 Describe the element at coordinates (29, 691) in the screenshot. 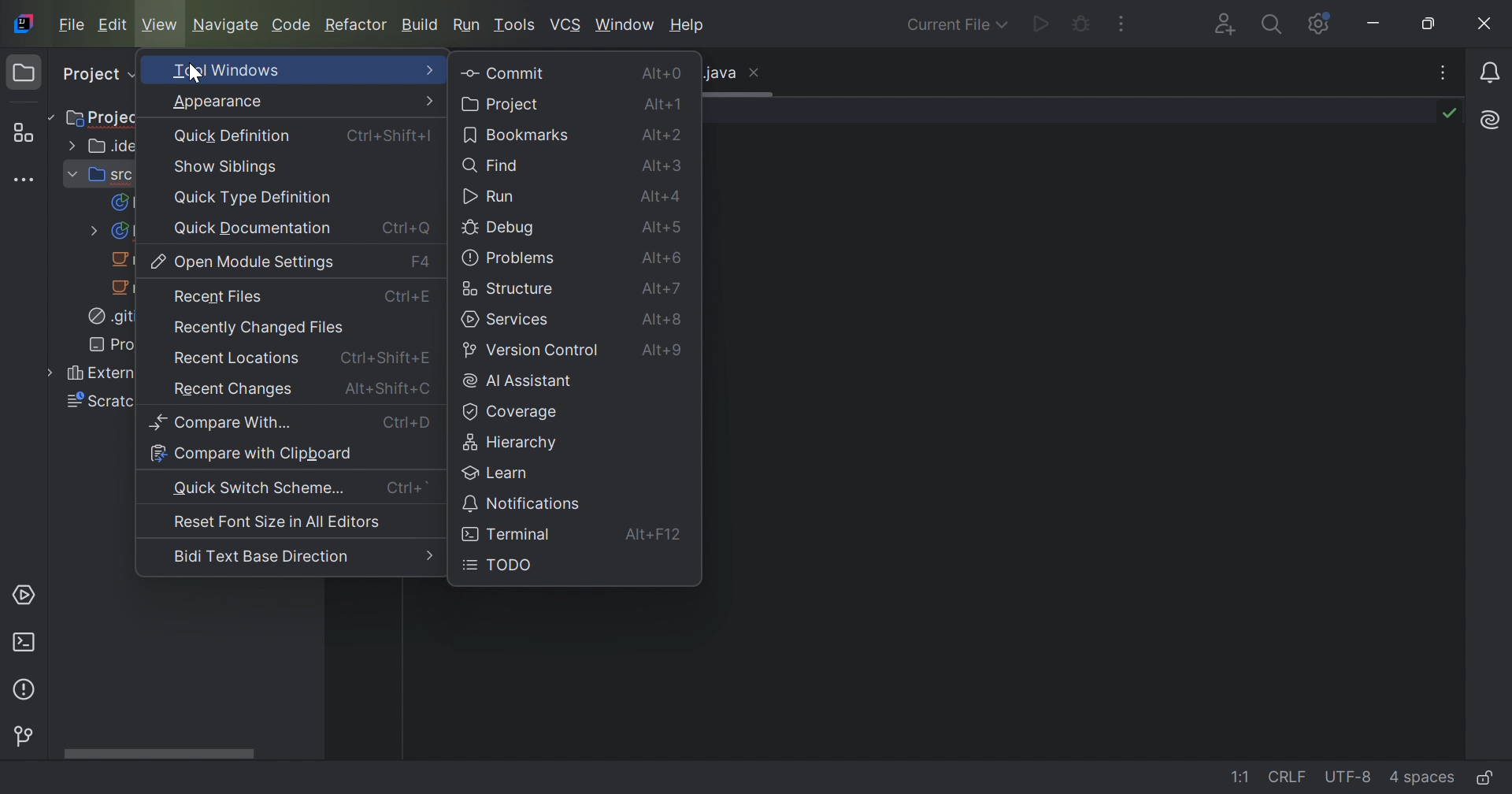

I see `Problems` at that location.